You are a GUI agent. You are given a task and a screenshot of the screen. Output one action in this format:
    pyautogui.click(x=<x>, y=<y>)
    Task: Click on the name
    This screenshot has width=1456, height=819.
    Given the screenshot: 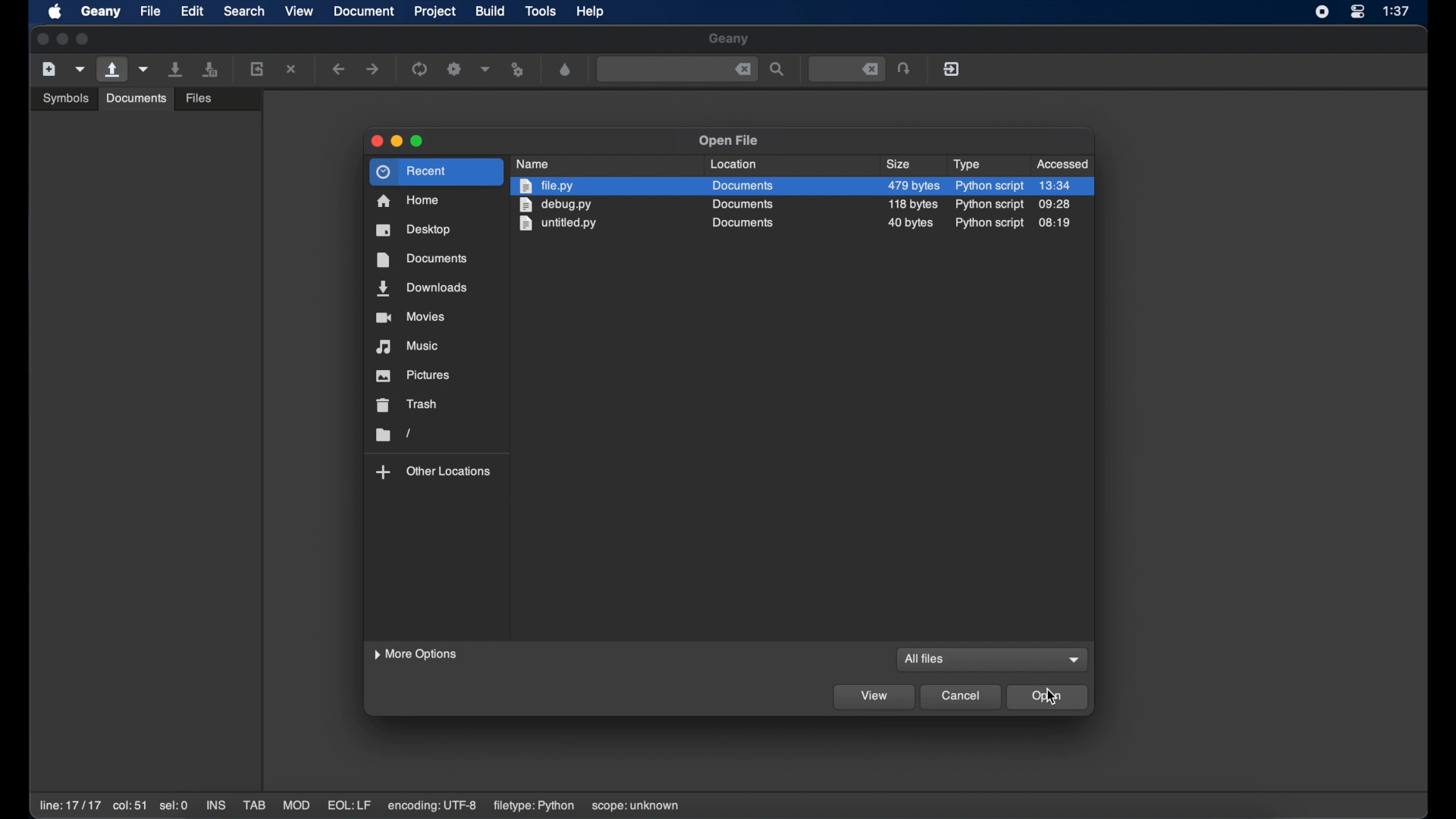 What is the action you would take?
    pyautogui.click(x=535, y=163)
    